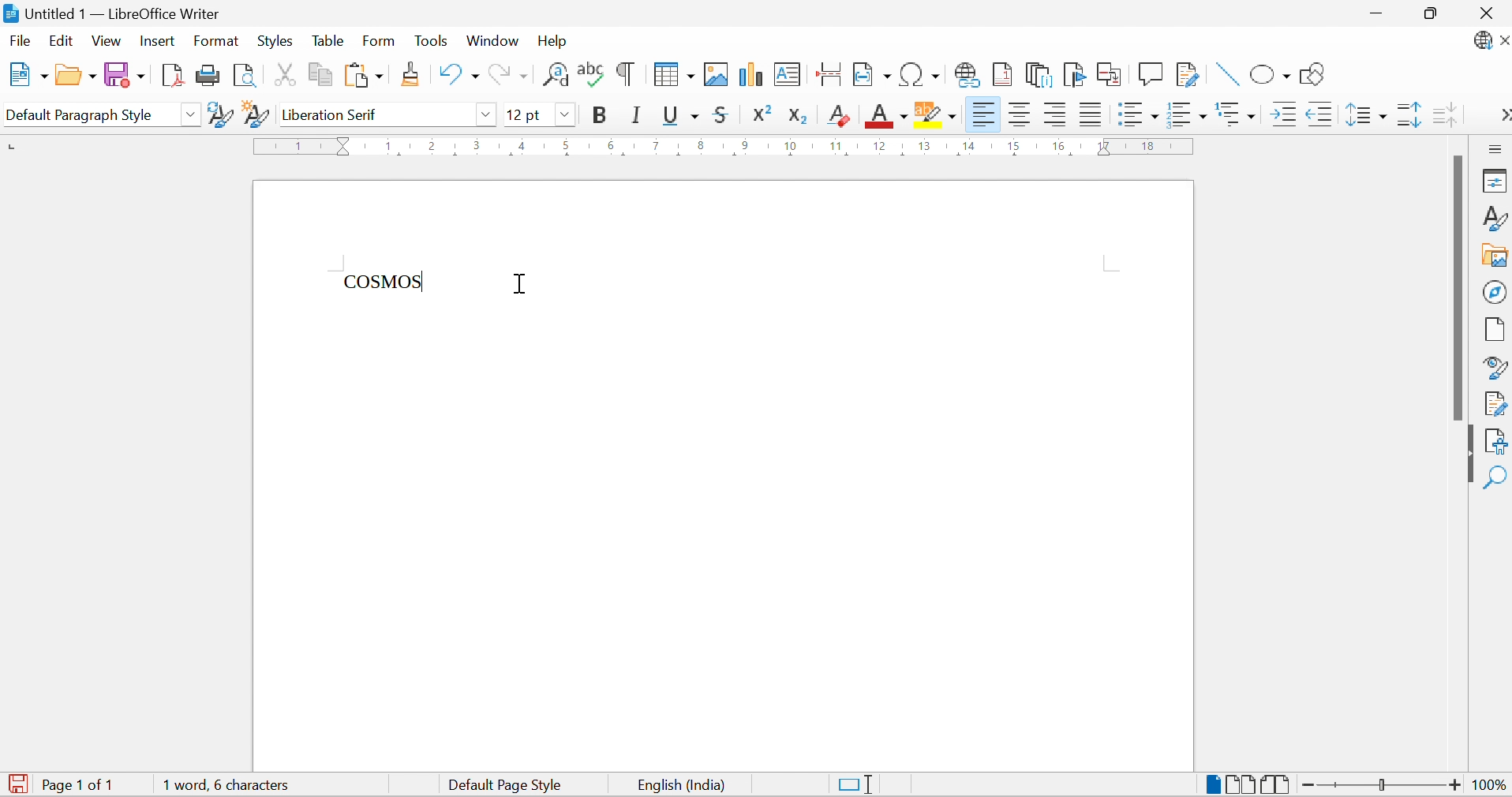  I want to click on Format, so click(217, 42).